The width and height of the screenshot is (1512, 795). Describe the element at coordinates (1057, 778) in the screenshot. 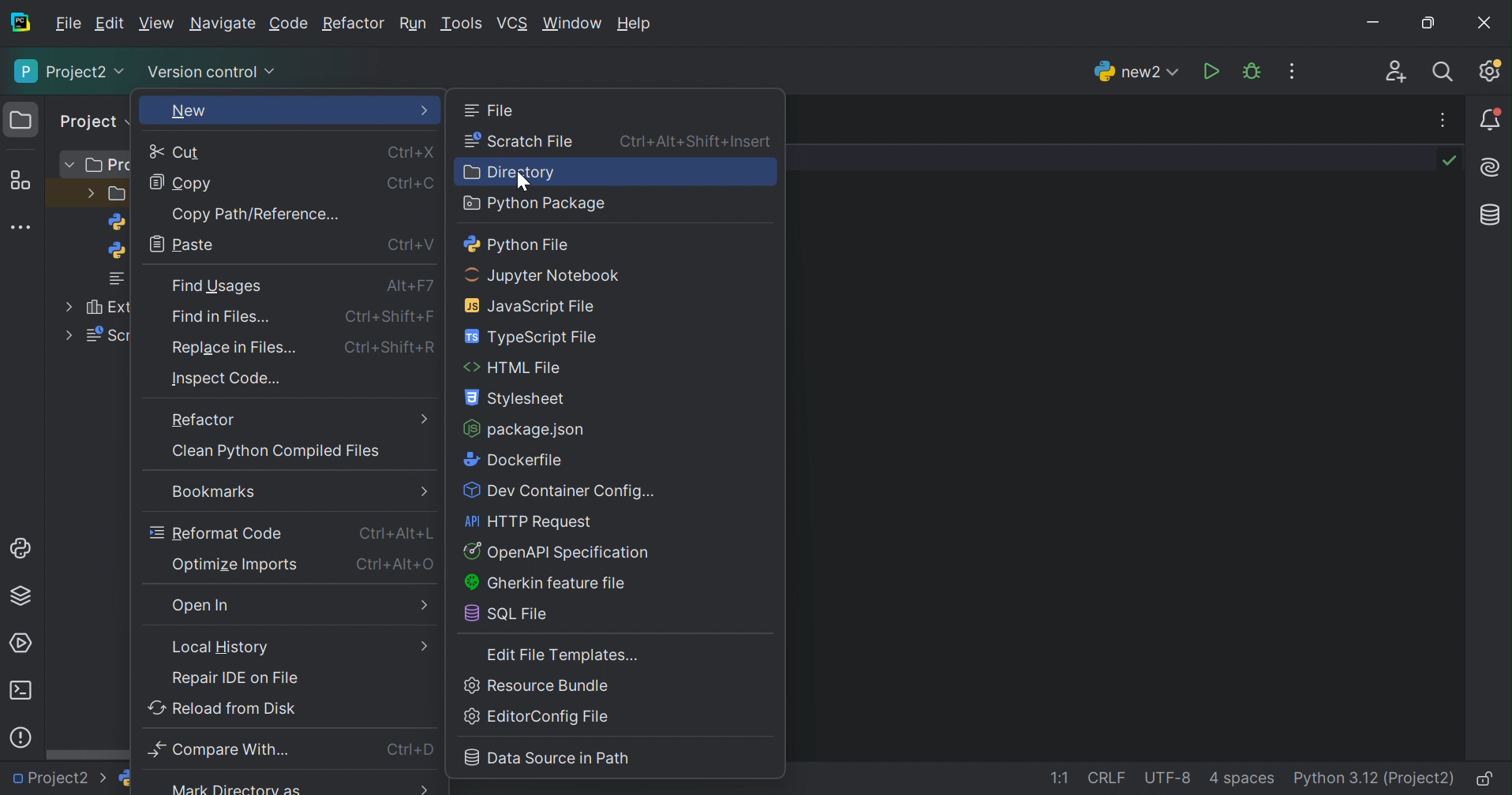

I see `1:1` at that location.